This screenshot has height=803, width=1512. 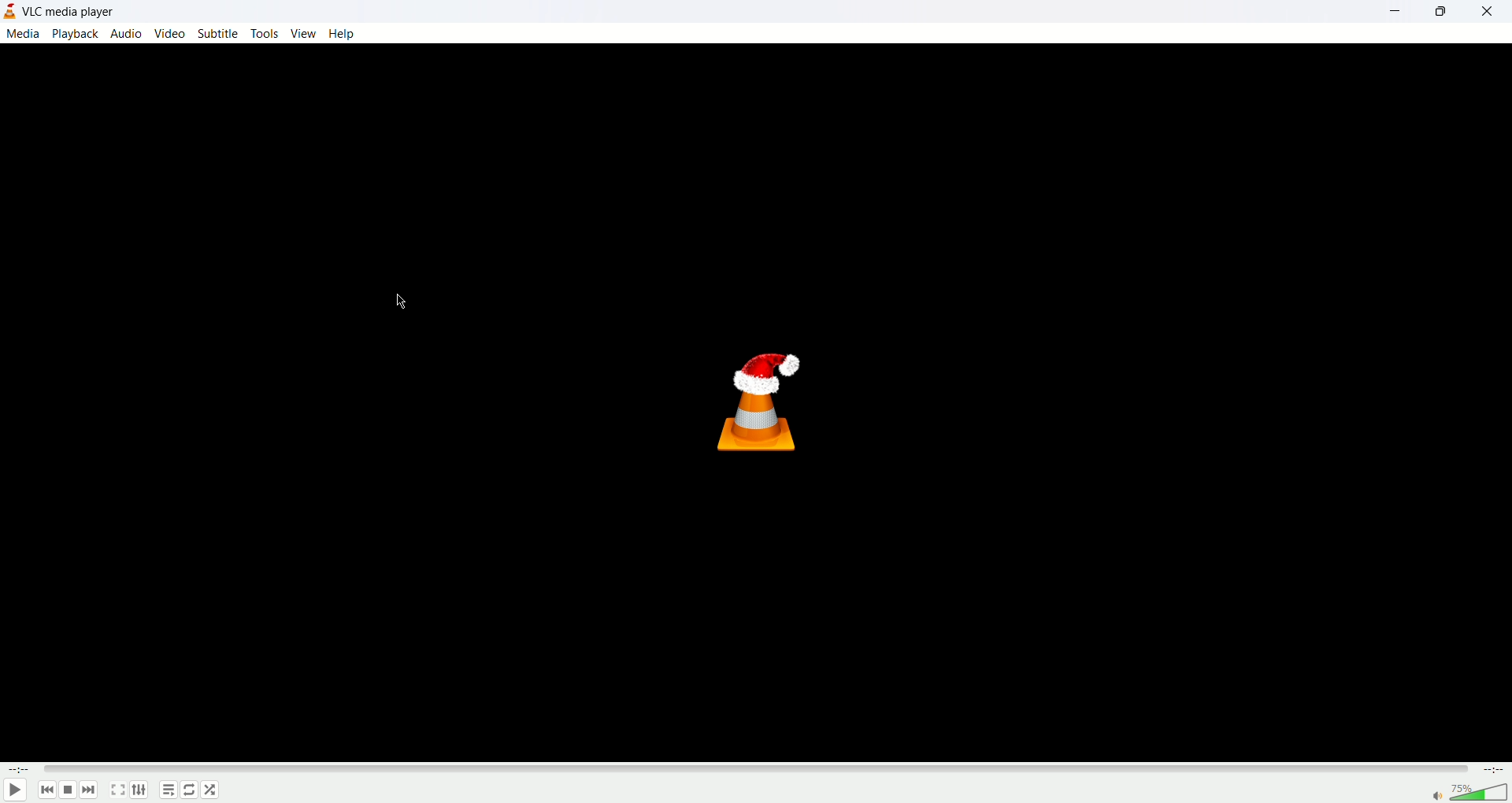 I want to click on elapsed time, so click(x=20, y=770).